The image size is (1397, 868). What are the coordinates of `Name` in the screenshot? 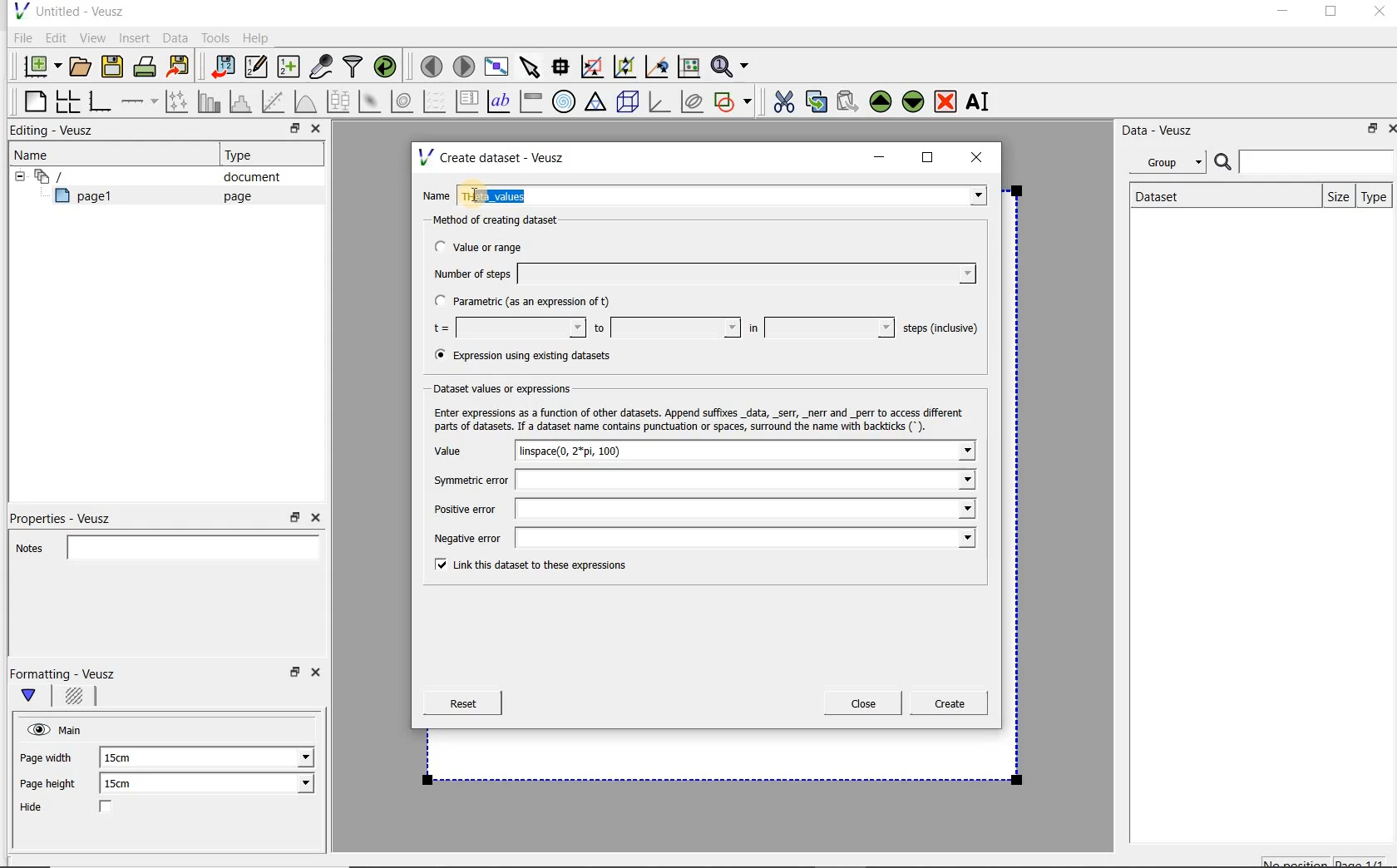 It's located at (37, 154).